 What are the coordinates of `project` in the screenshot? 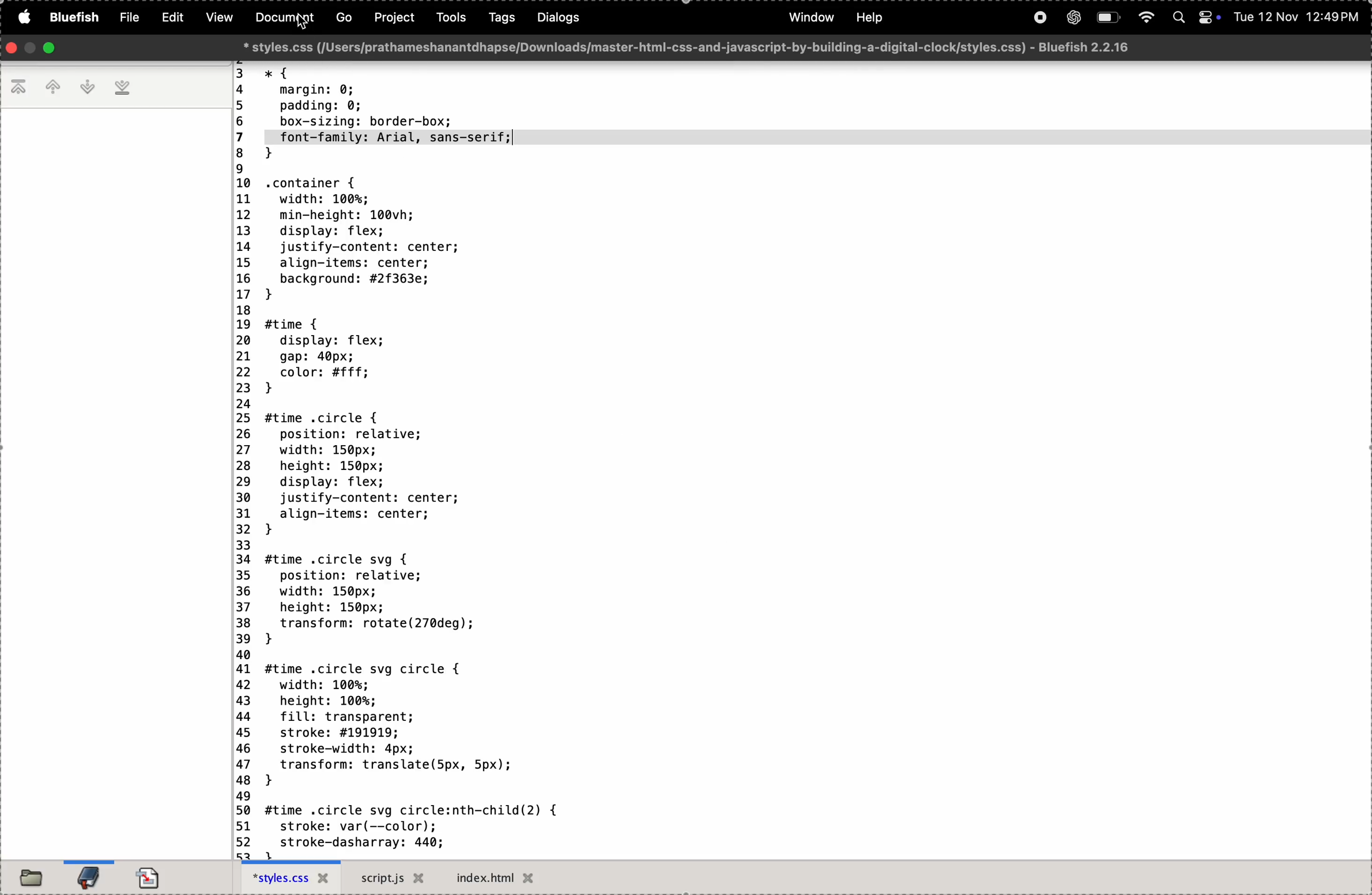 It's located at (393, 18).